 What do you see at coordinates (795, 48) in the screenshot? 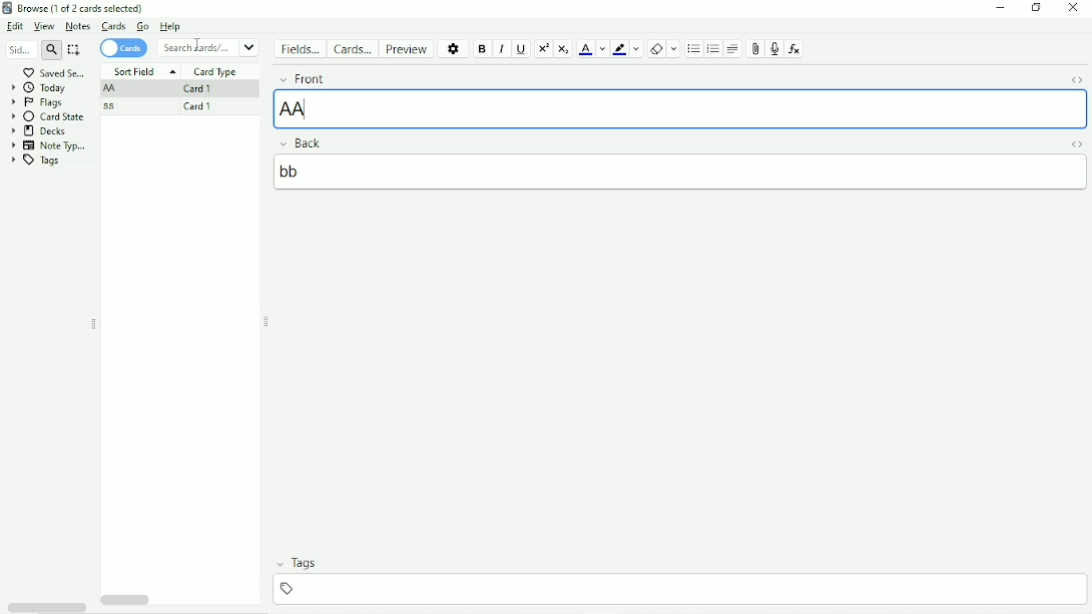
I see `Equations` at bounding box center [795, 48].